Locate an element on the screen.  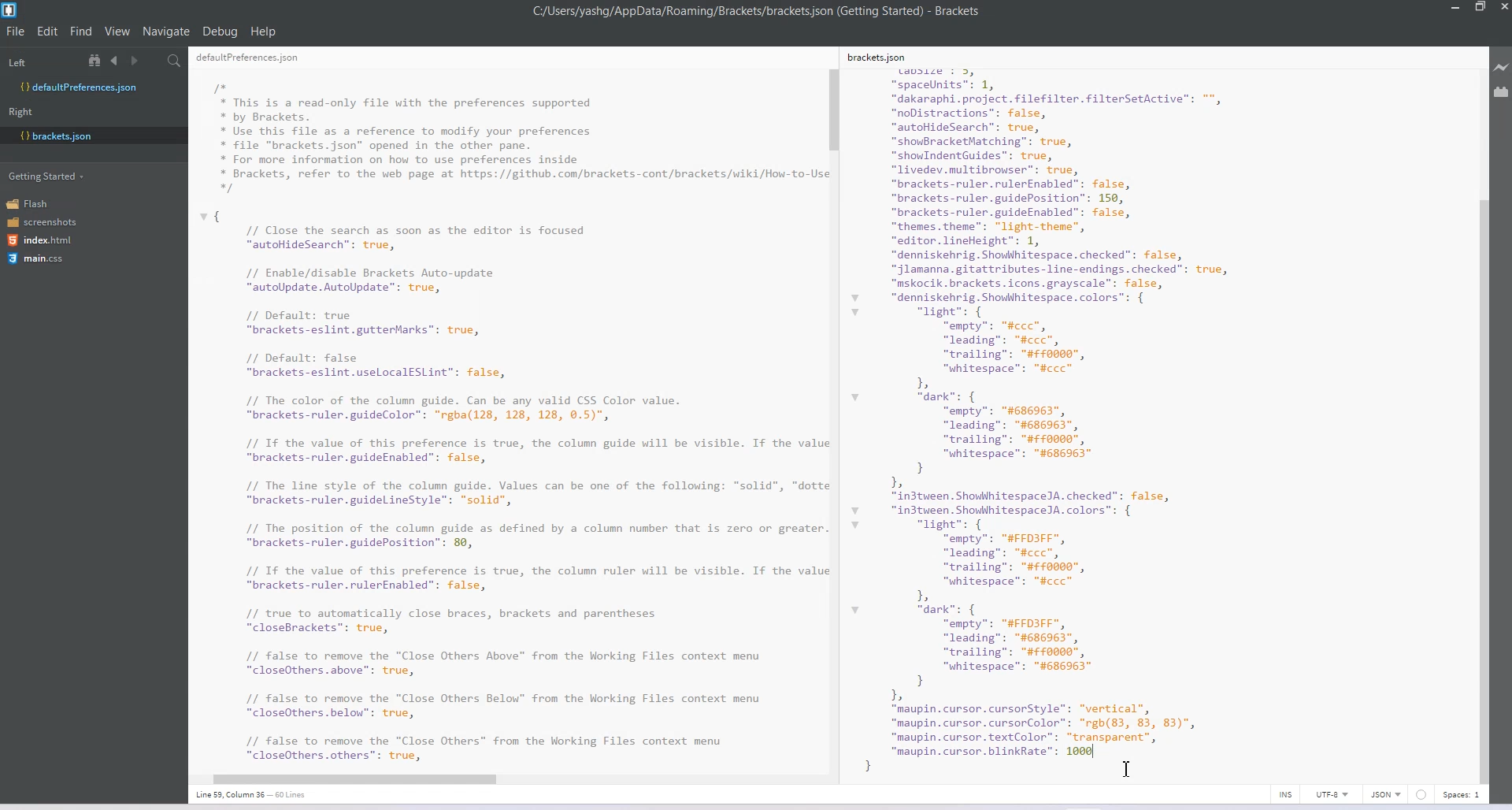
C:/Users/yashg/AppData/Roaming/Brackets/brackets json (Getting Started) - Brackets is located at coordinates (758, 11).